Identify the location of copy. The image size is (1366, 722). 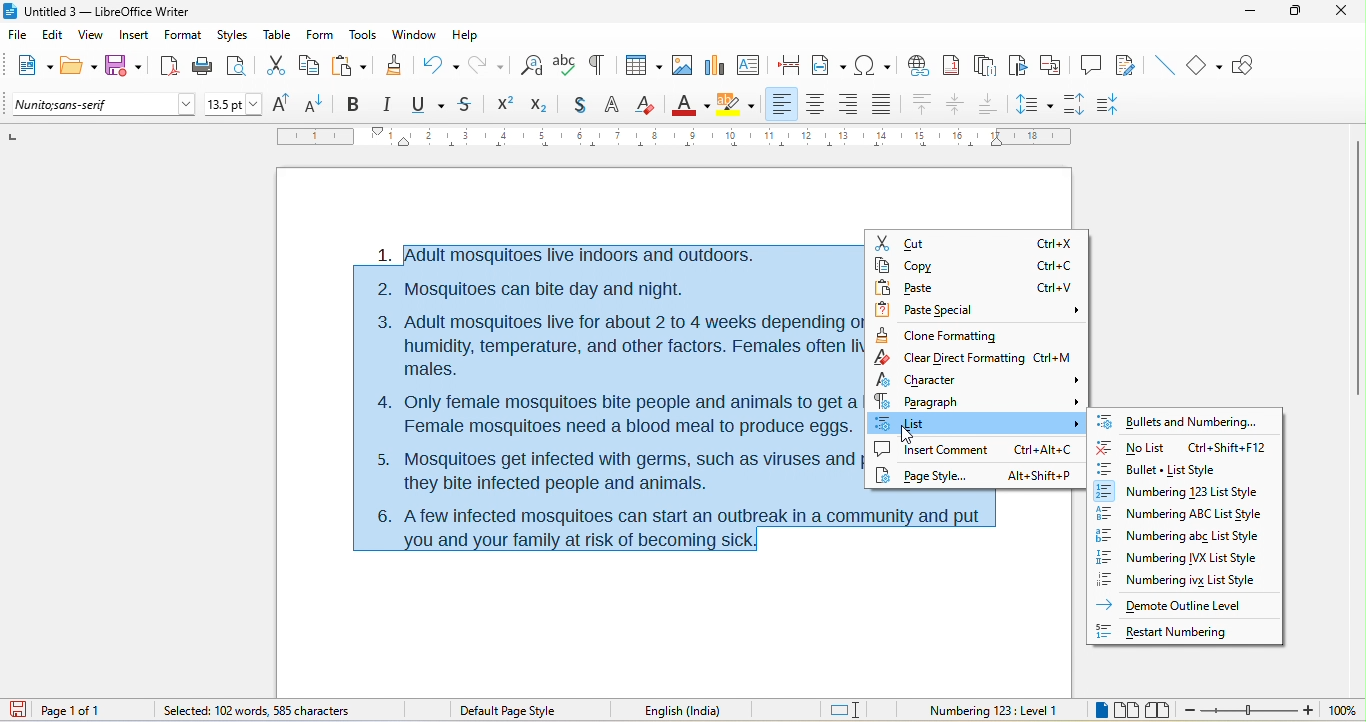
(977, 265).